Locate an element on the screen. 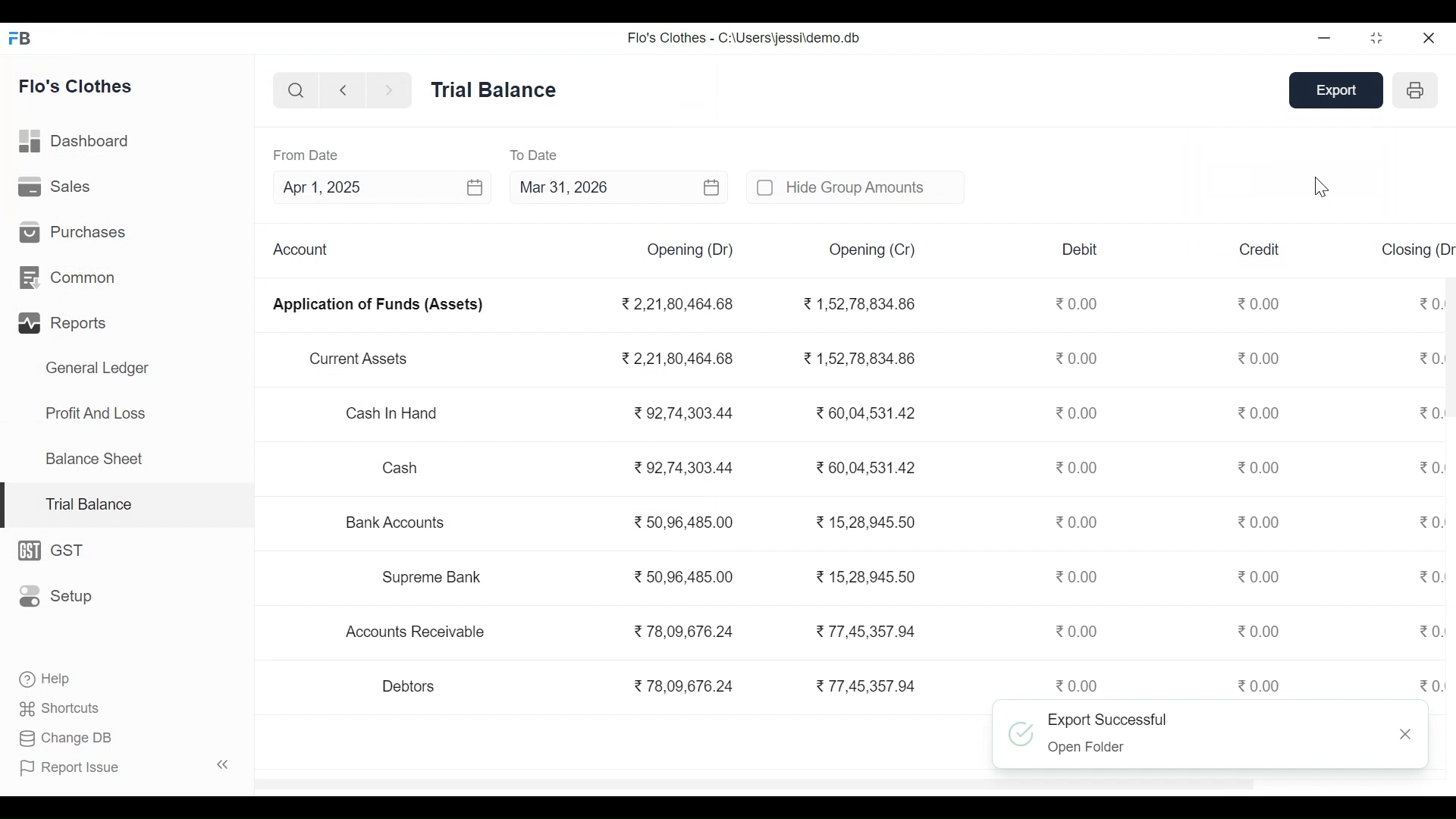 The width and height of the screenshot is (1456, 819). Closing (Dr) is located at coordinates (1417, 247).